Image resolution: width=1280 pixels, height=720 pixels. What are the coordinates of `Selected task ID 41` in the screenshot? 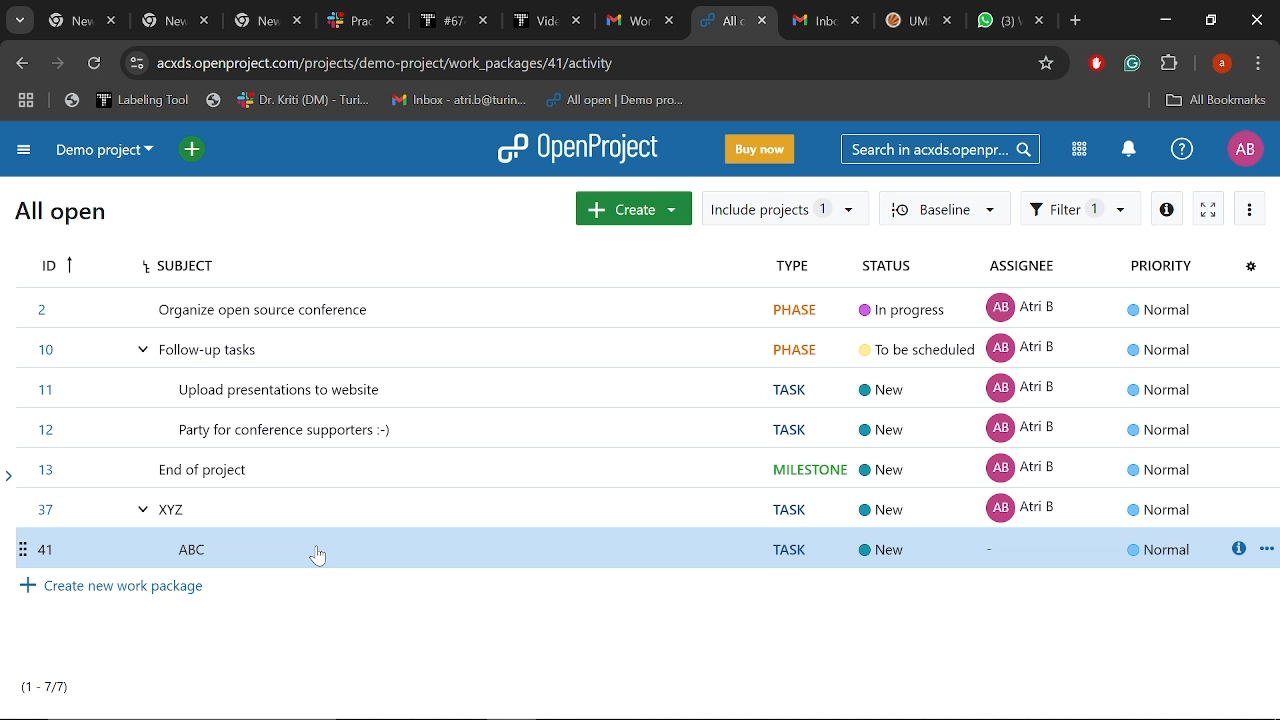 It's located at (647, 547).